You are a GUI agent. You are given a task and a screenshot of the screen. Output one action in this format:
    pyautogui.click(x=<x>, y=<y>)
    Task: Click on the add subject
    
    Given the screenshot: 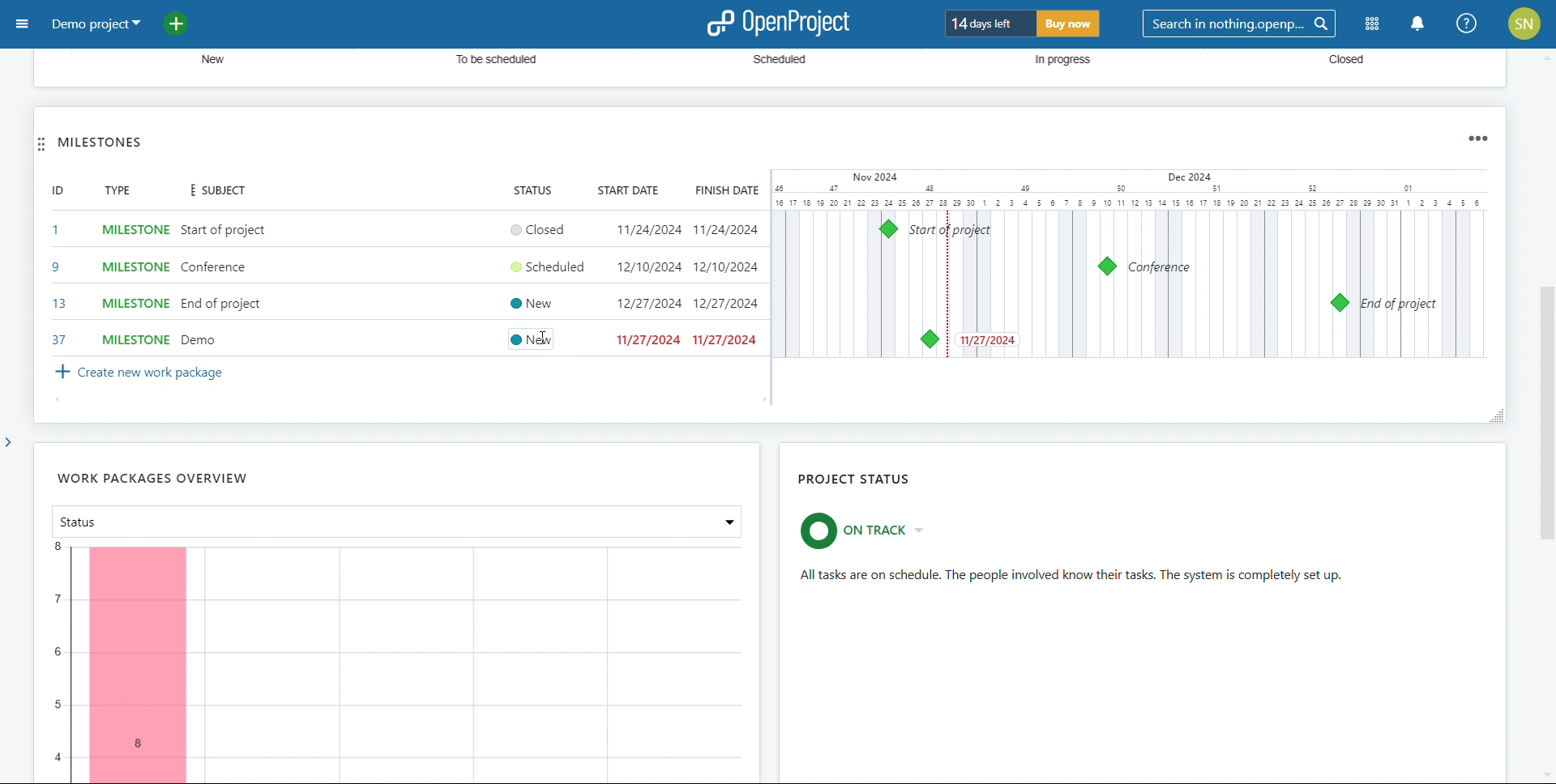 What is the action you would take?
    pyautogui.click(x=224, y=286)
    